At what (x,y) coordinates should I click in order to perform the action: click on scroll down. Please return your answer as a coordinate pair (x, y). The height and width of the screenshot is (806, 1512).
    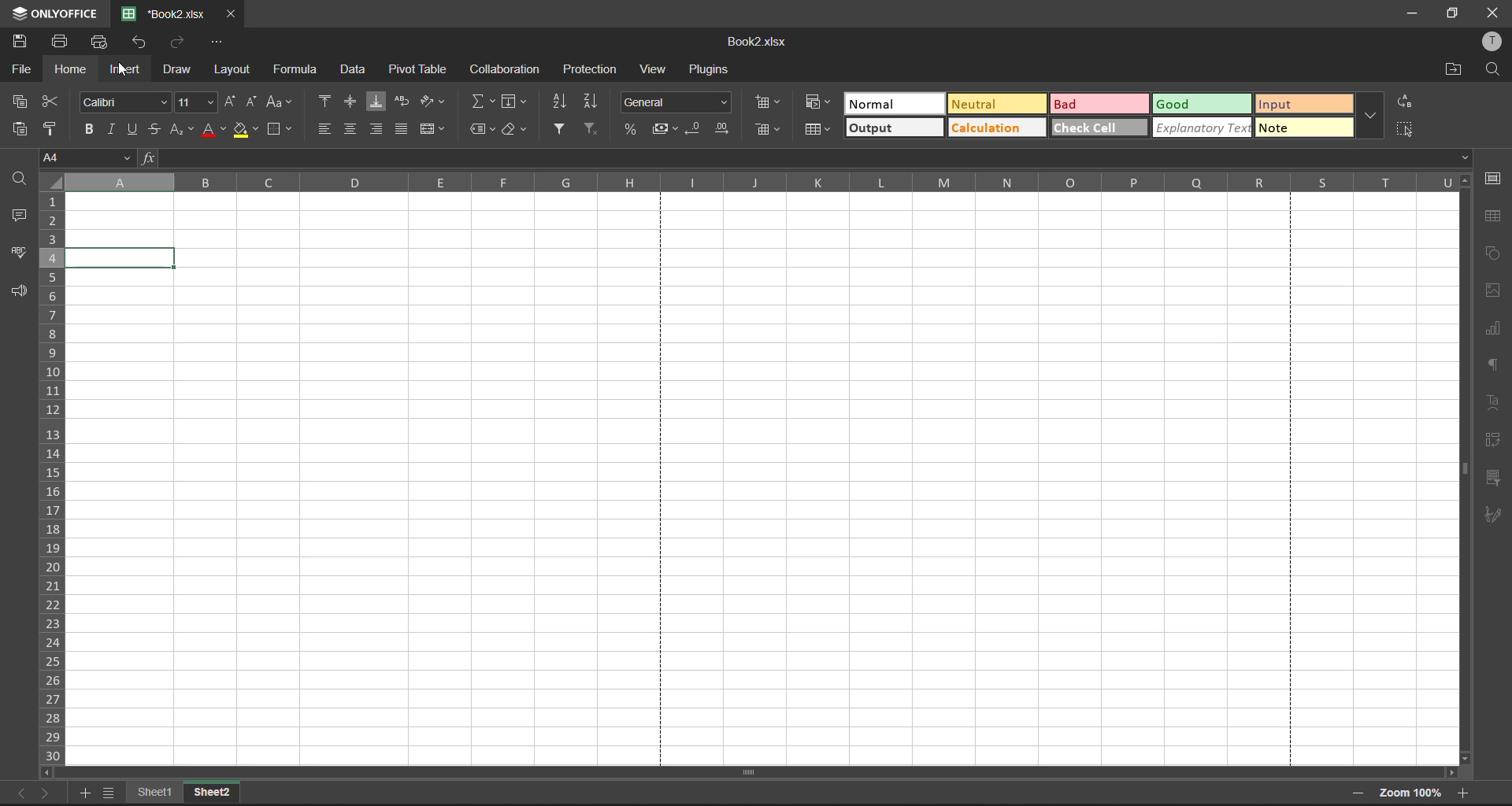
    Looking at the image, I should click on (1462, 758).